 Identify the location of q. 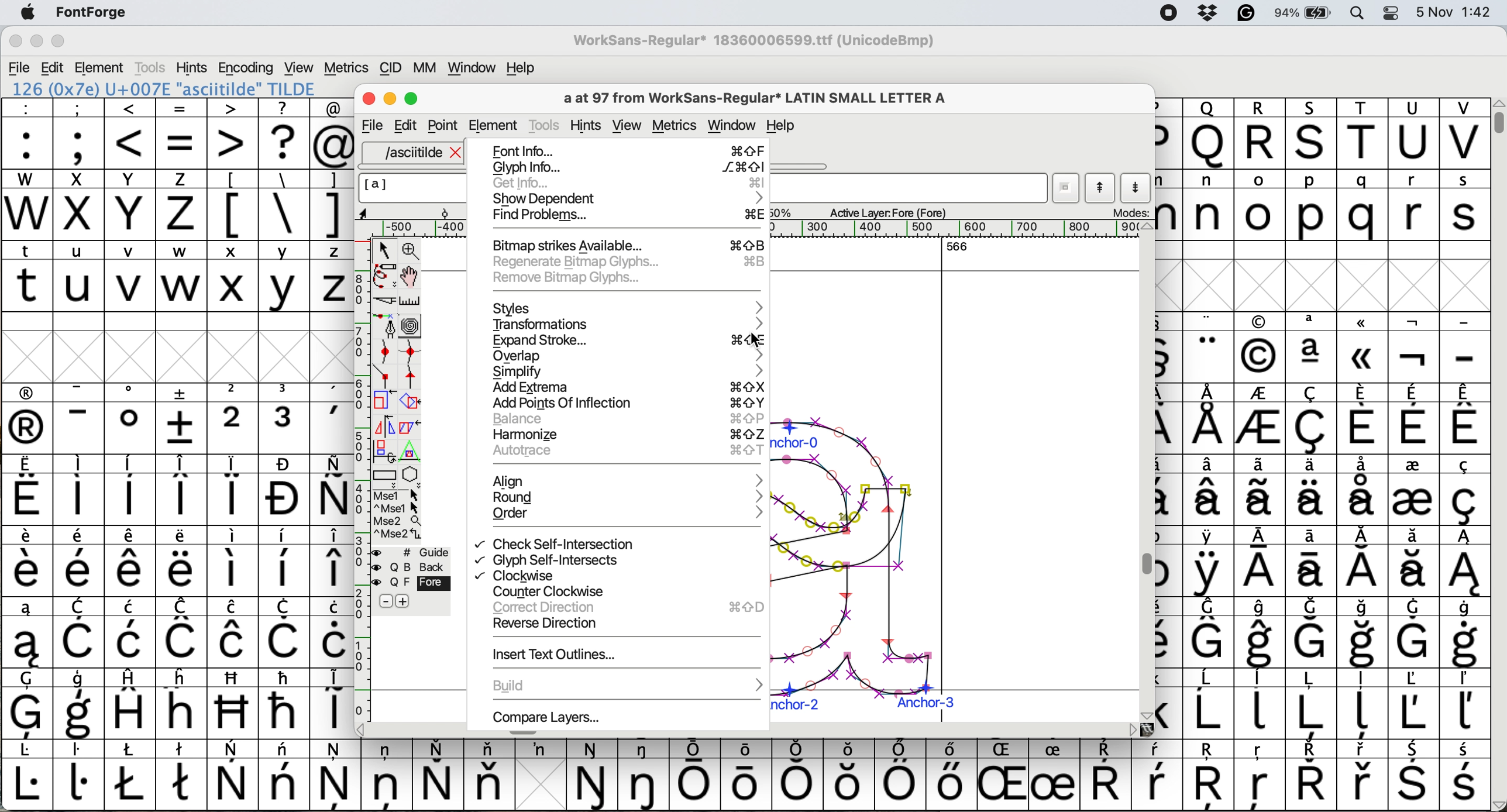
(1365, 206).